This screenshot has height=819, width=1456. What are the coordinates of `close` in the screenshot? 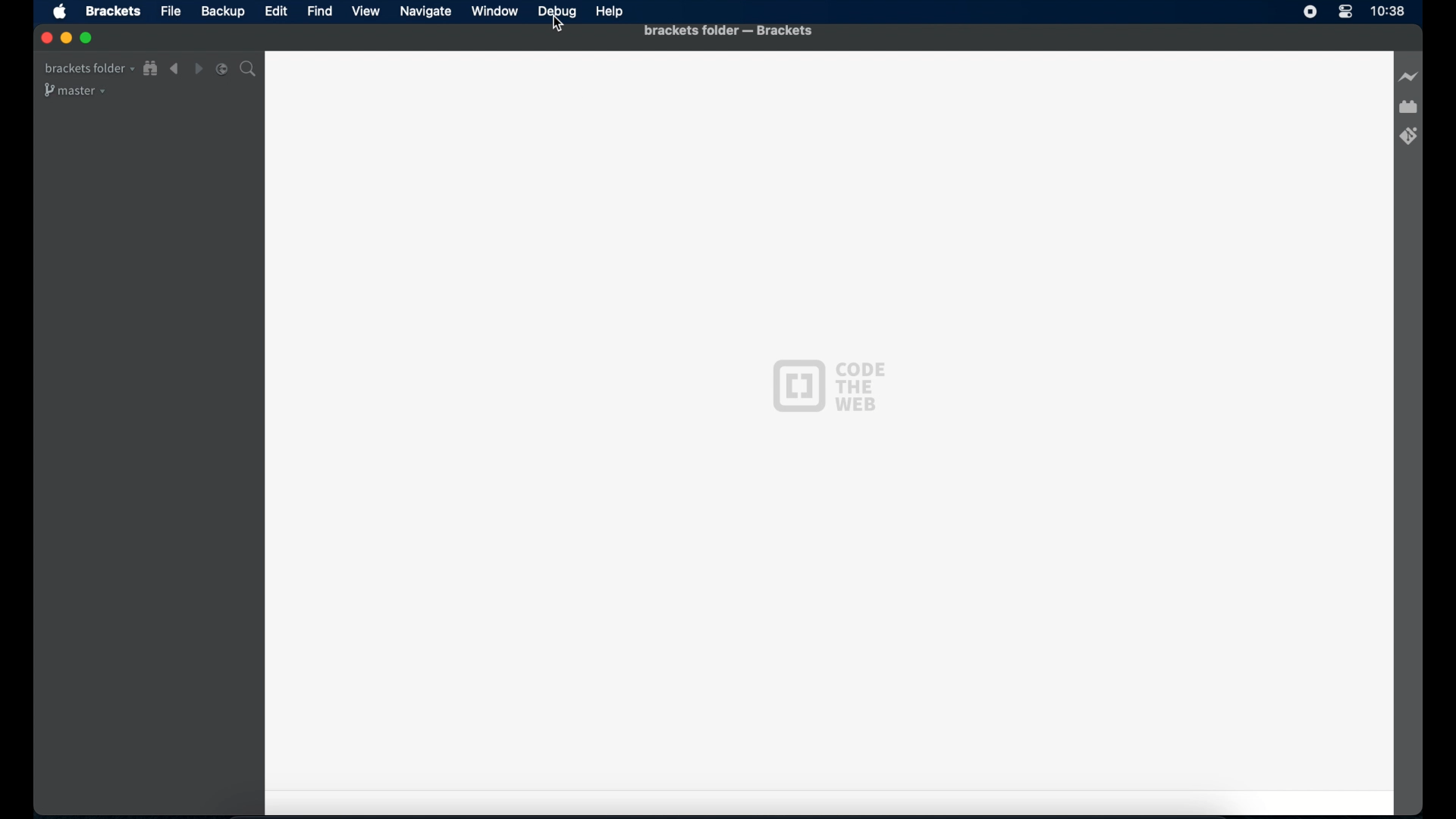 It's located at (47, 39).